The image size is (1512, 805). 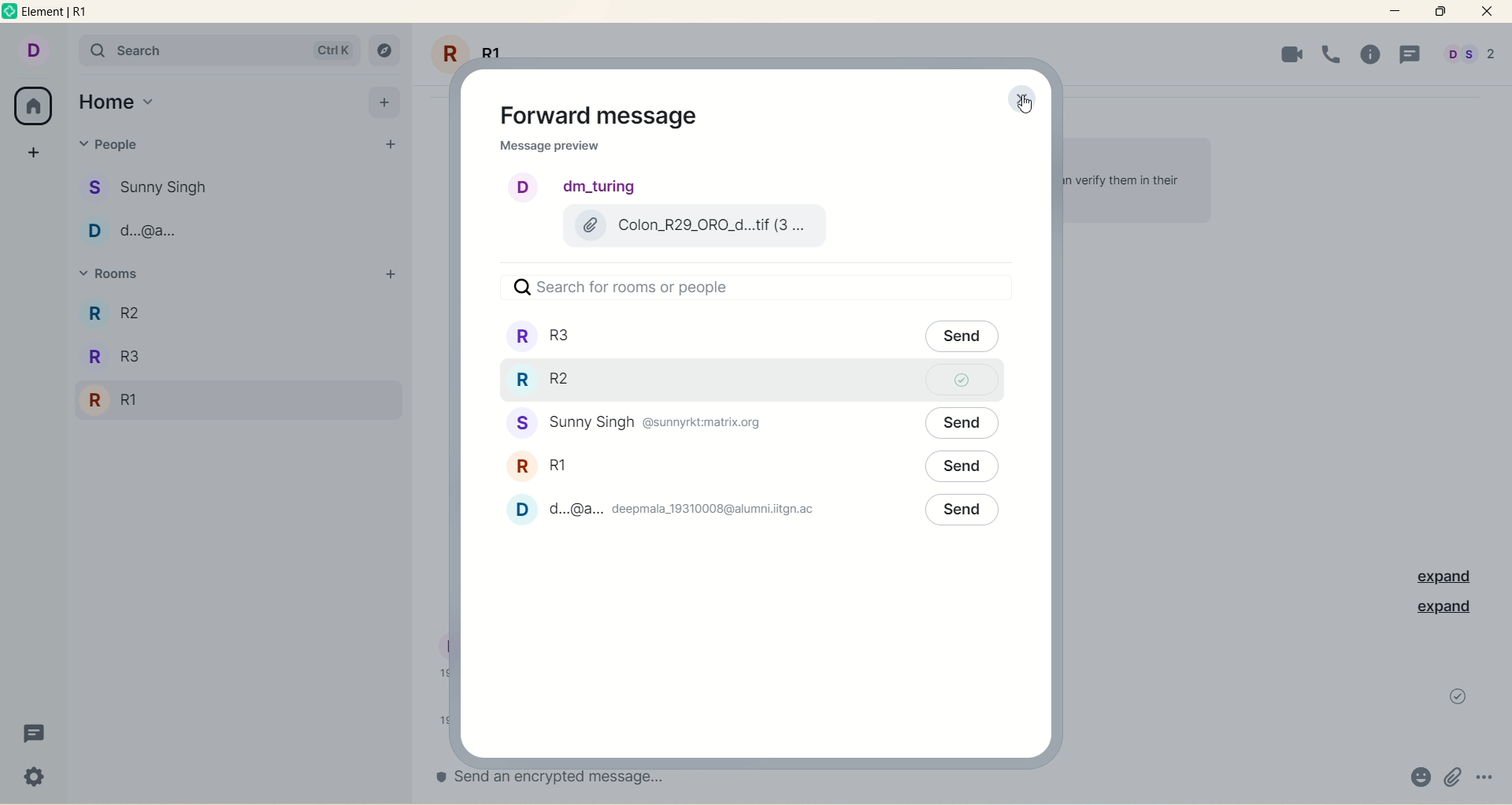 What do you see at coordinates (31, 106) in the screenshot?
I see `all rooms` at bounding box center [31, 106].